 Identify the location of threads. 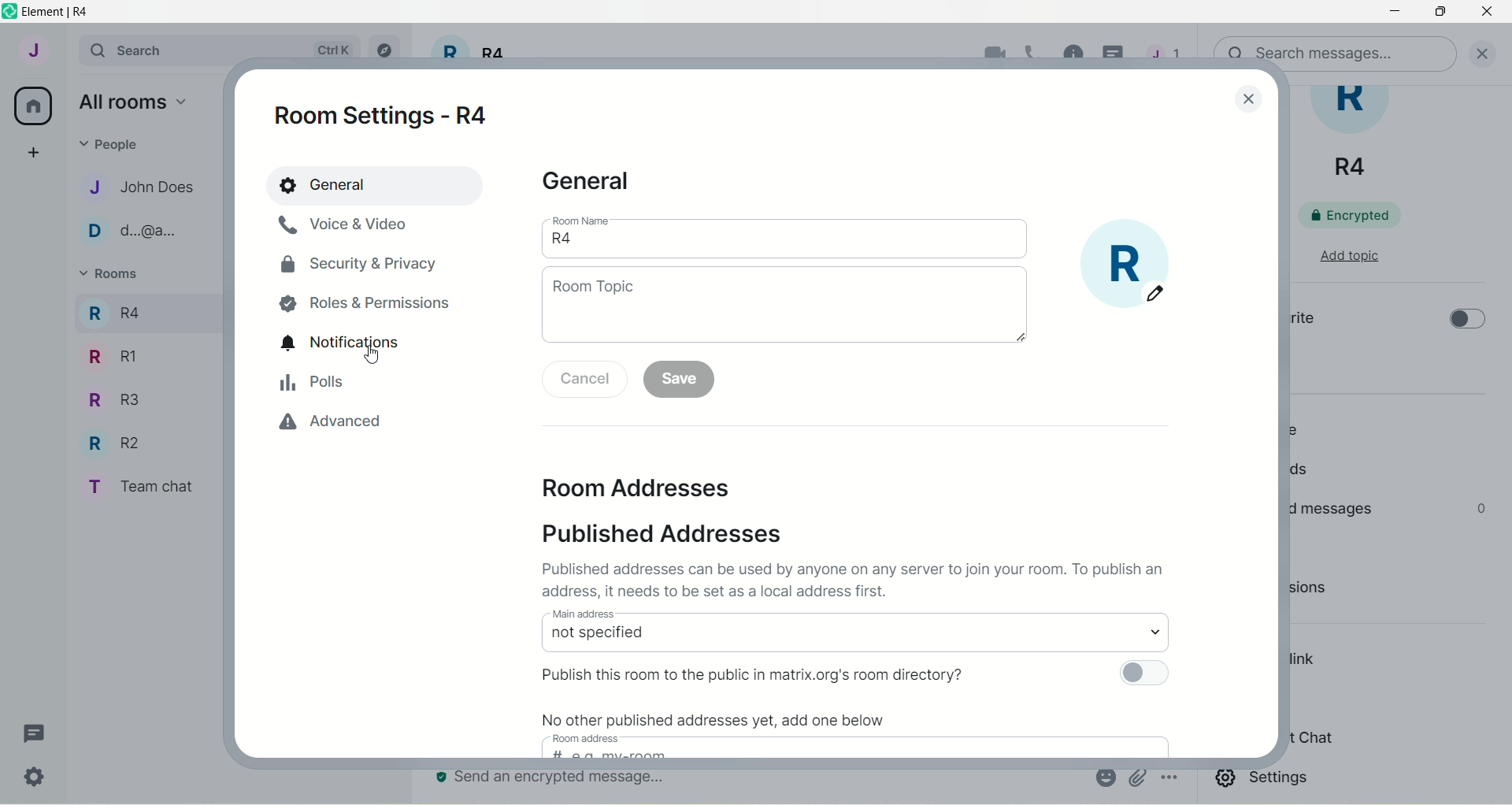
(35, 733).